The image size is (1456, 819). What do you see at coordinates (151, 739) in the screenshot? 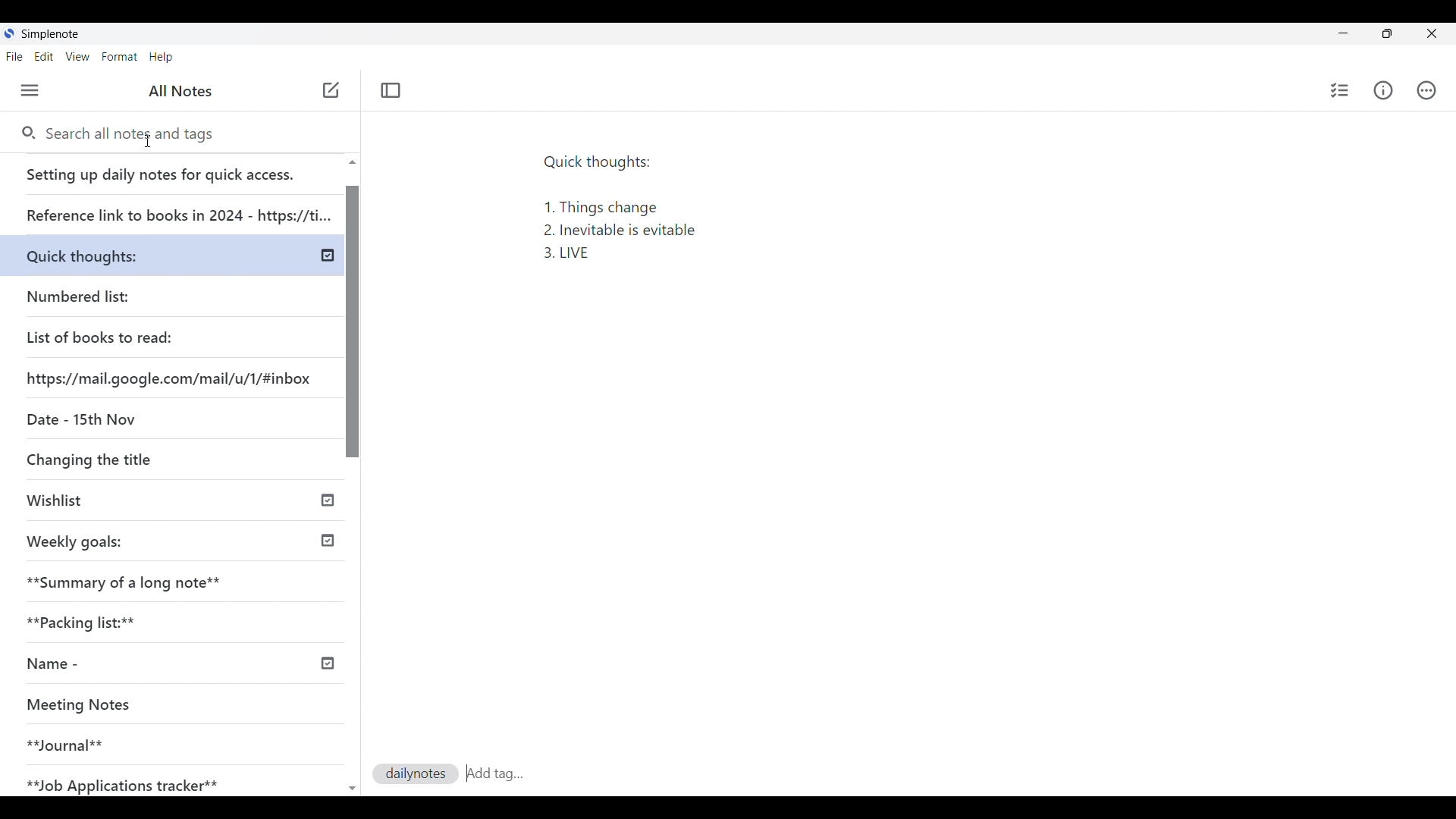
I see `Journal` at bounding box center [151, 739].